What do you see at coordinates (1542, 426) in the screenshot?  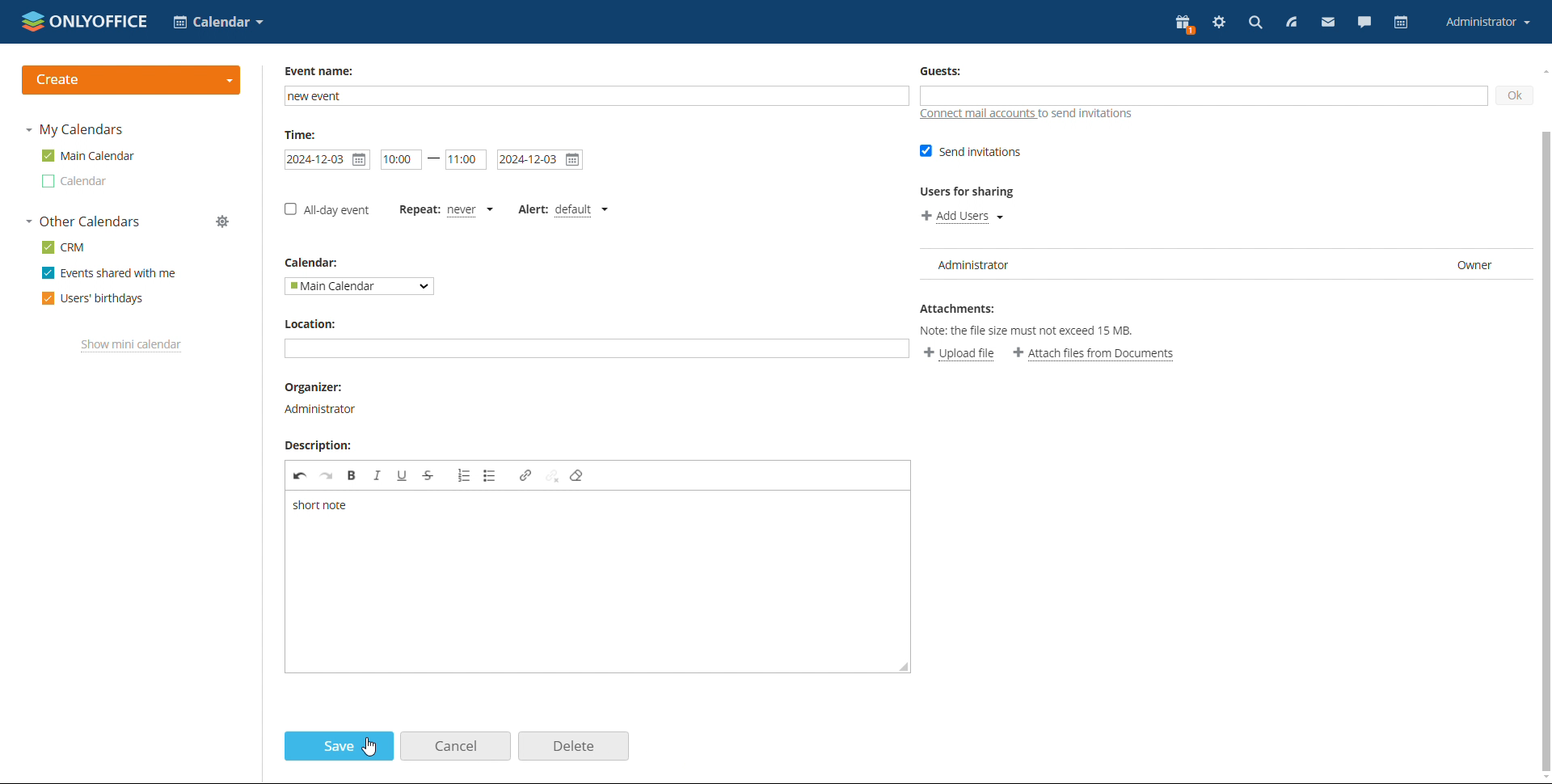 I see `scroll bar` at bounding box center [1542, 426].